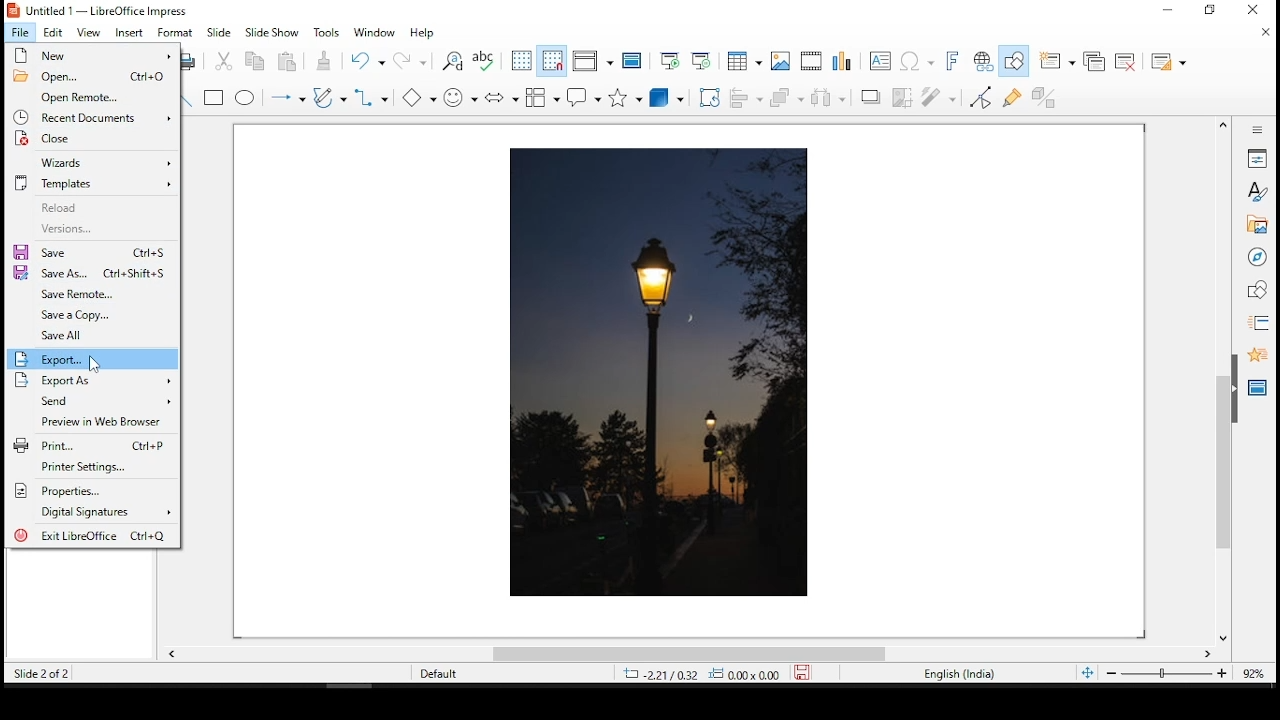 This screenshot has height=720, width=1280. What do you see at coordinates (847, 60) in the screenshot?
I see `charts` at bounding box center [847, 60].